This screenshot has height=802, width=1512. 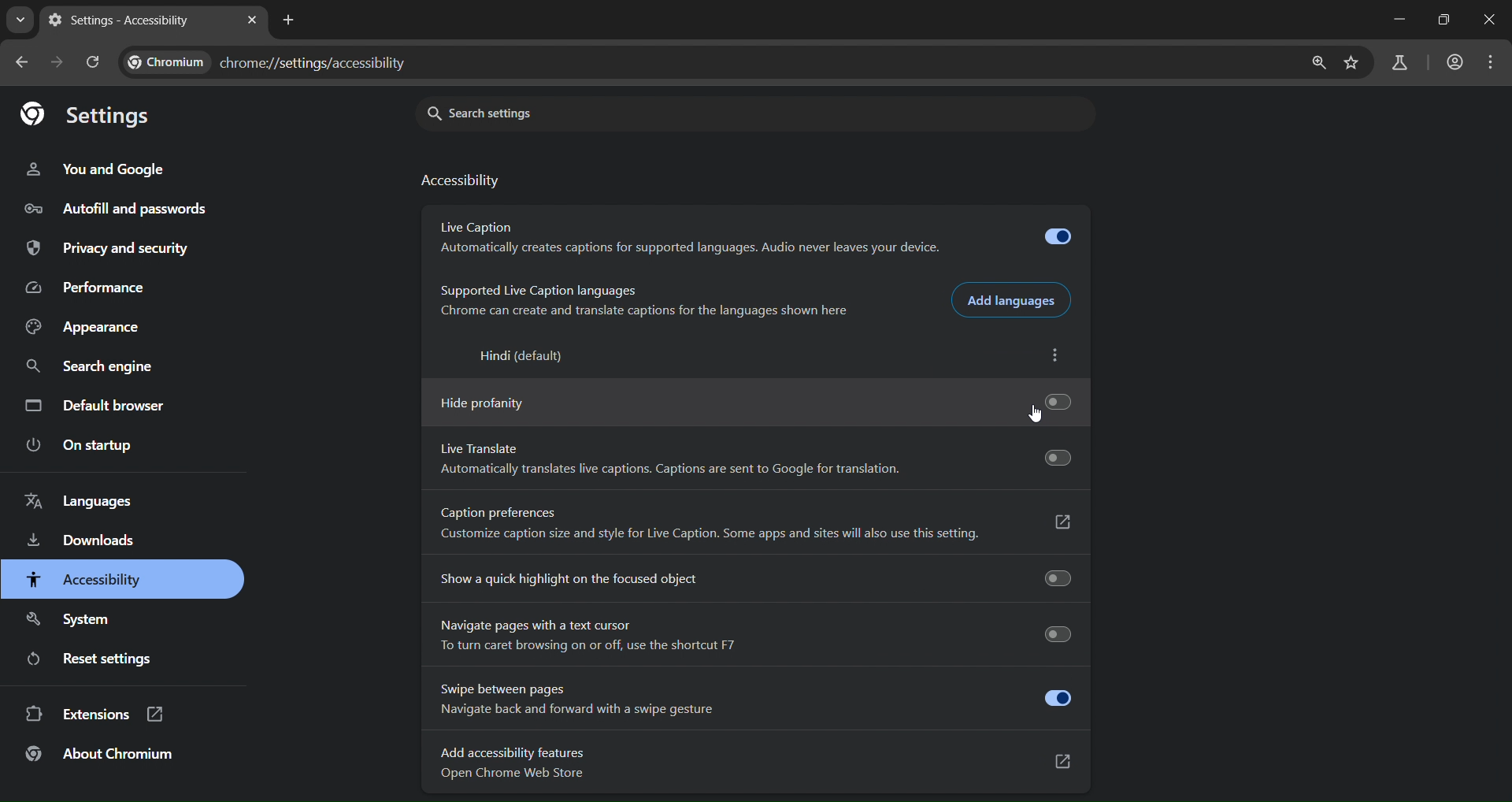 What do you see at coordinates (1492, 62) in the screenshot?
I see `menu` at bounding box center [1492, 62].